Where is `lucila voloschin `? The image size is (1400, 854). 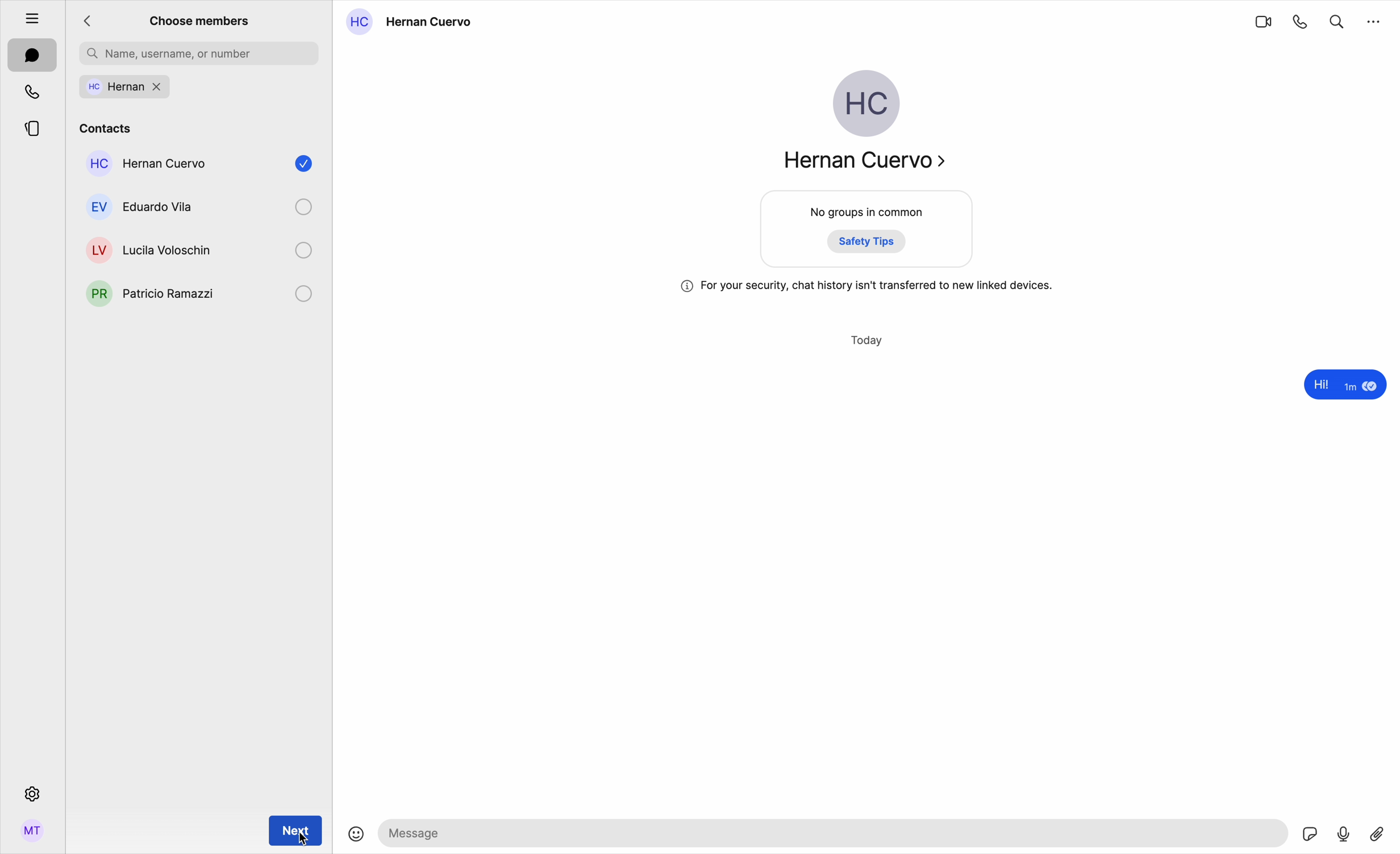
lucila voloschin  is located at coordinates (151, 245).